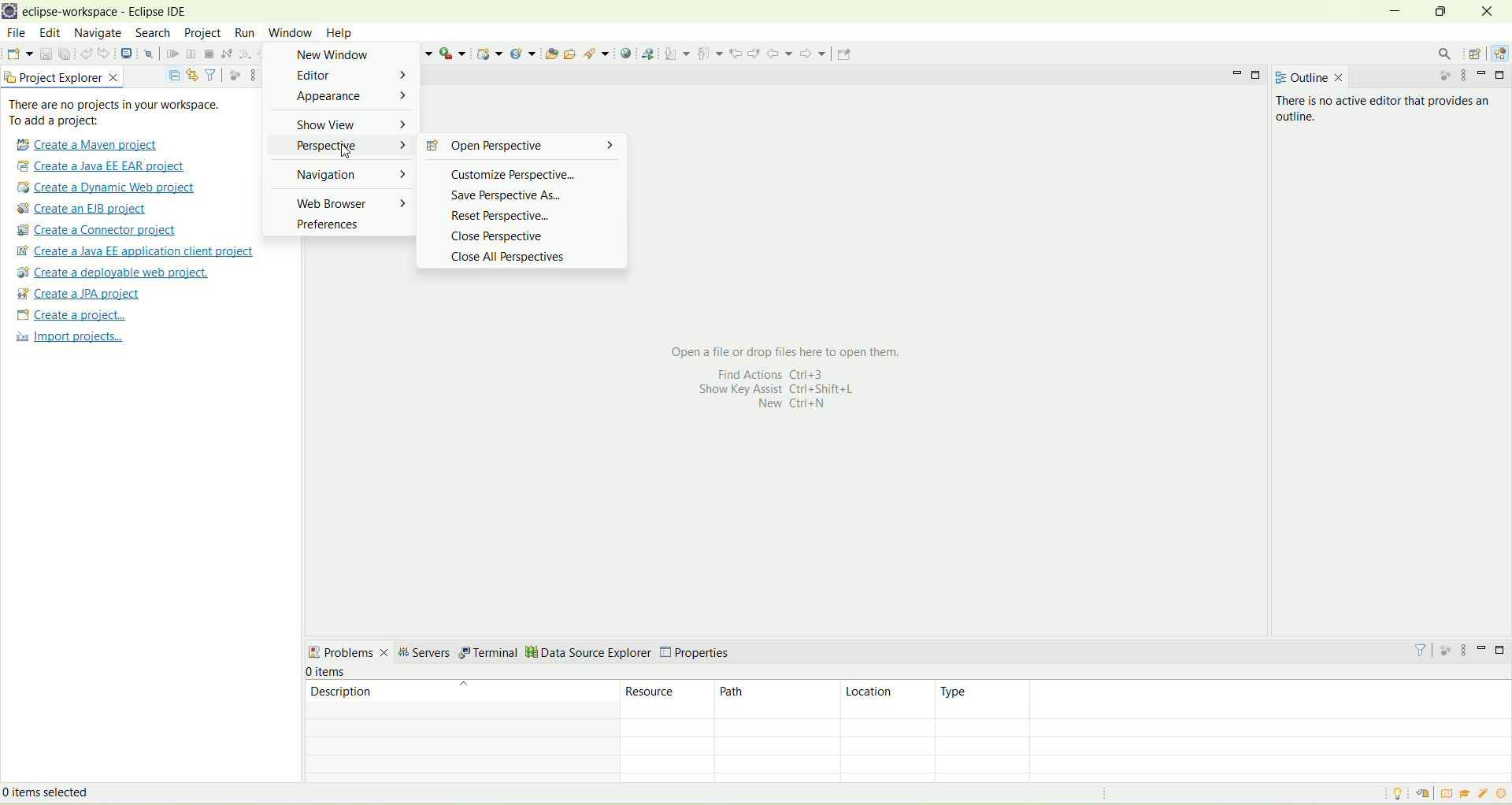  I want to click on Java EE, so click(1499, 54).